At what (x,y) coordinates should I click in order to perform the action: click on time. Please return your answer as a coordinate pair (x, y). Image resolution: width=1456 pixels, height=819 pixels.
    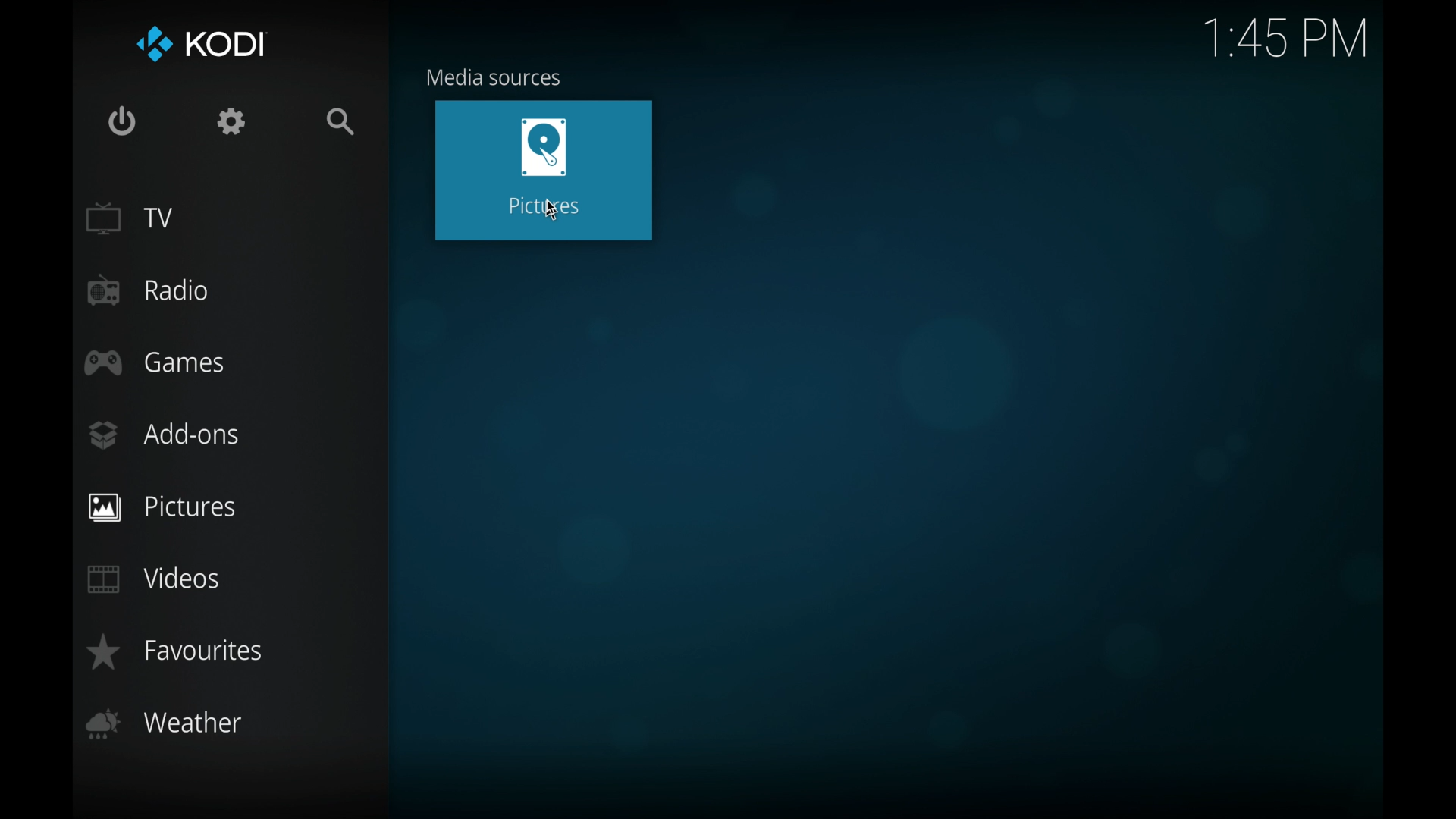
    Looking at the image, I should click on (1285, 39).